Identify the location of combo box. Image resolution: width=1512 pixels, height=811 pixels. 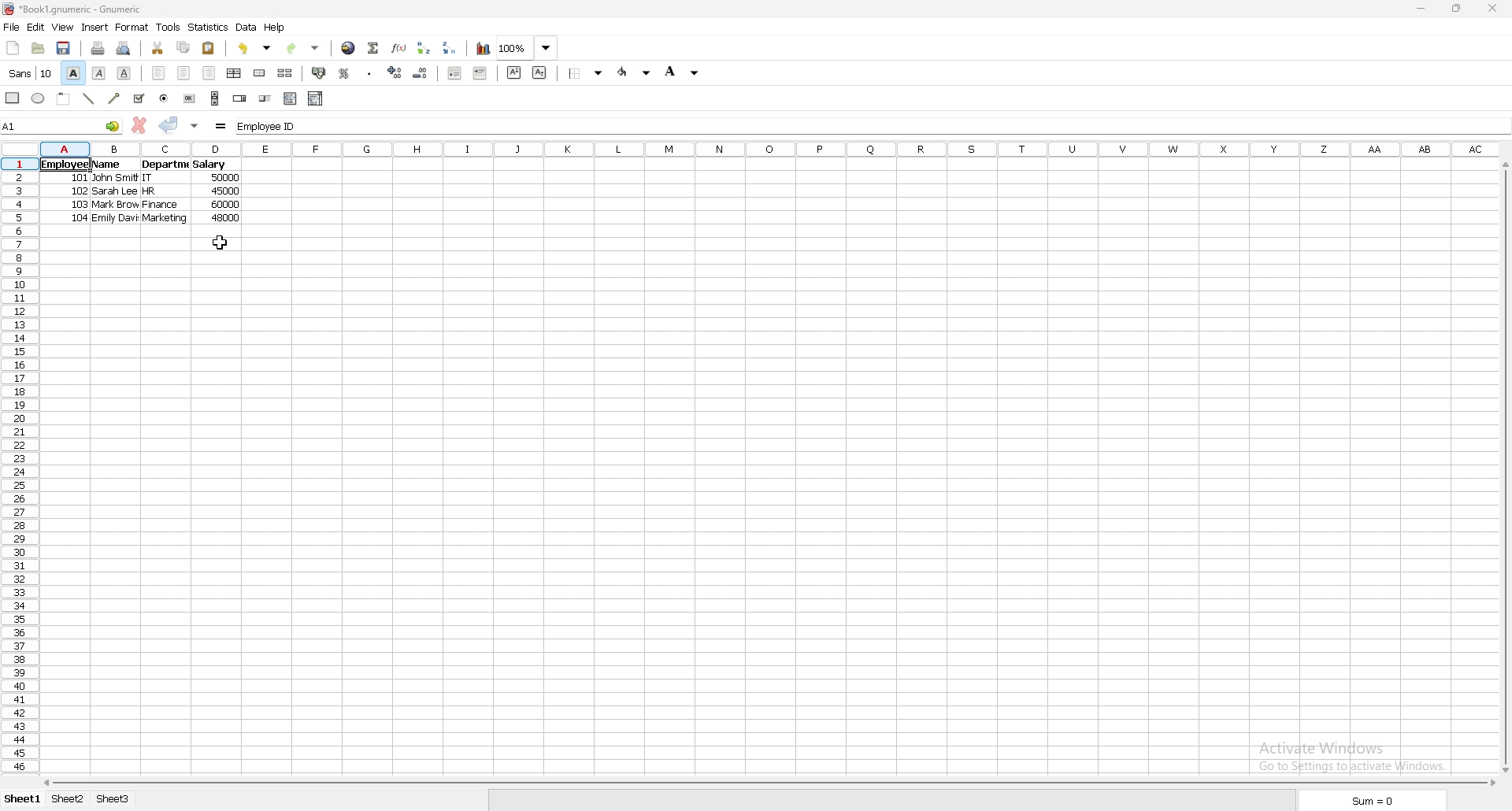
(316, 98).